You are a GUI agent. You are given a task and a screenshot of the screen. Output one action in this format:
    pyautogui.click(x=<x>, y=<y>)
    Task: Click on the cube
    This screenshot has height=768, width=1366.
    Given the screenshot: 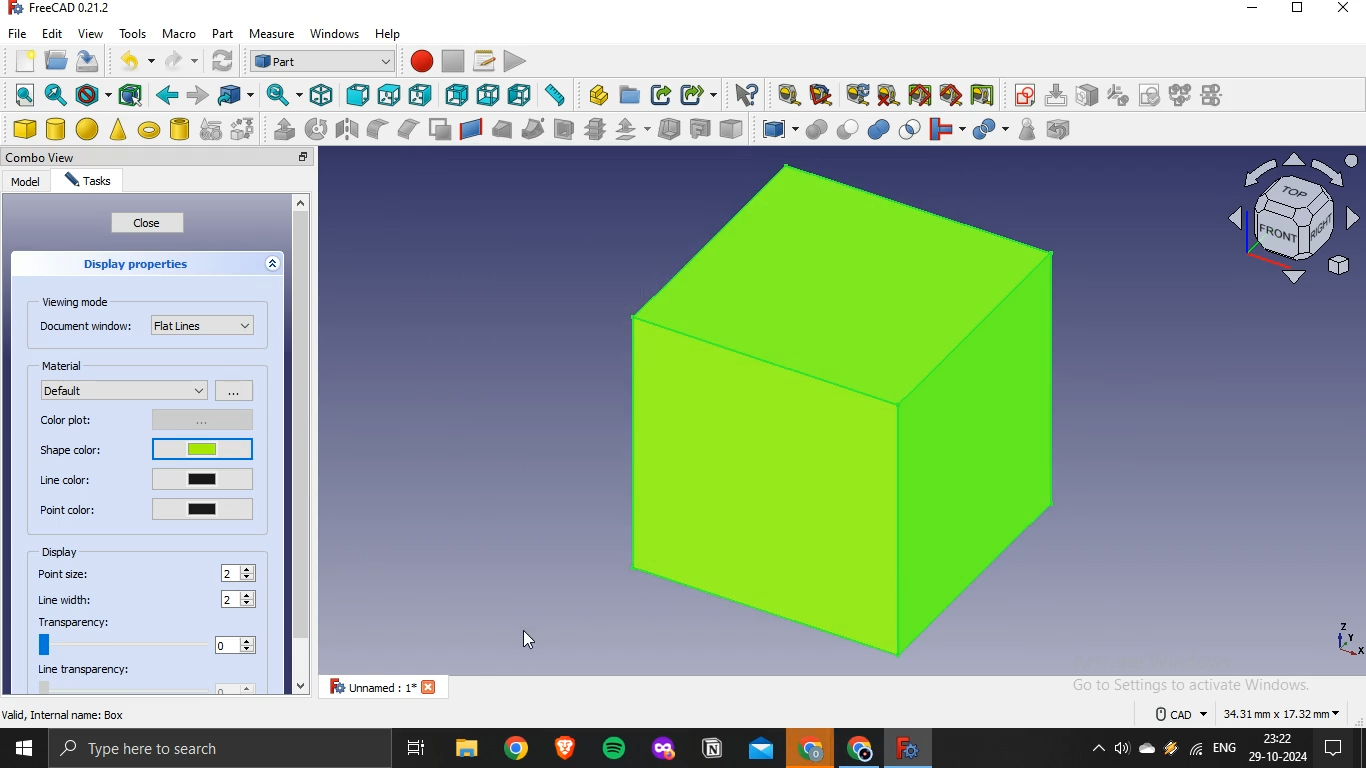 What is the action you would take?
    pyautogui.click(x=24, y=129)
    